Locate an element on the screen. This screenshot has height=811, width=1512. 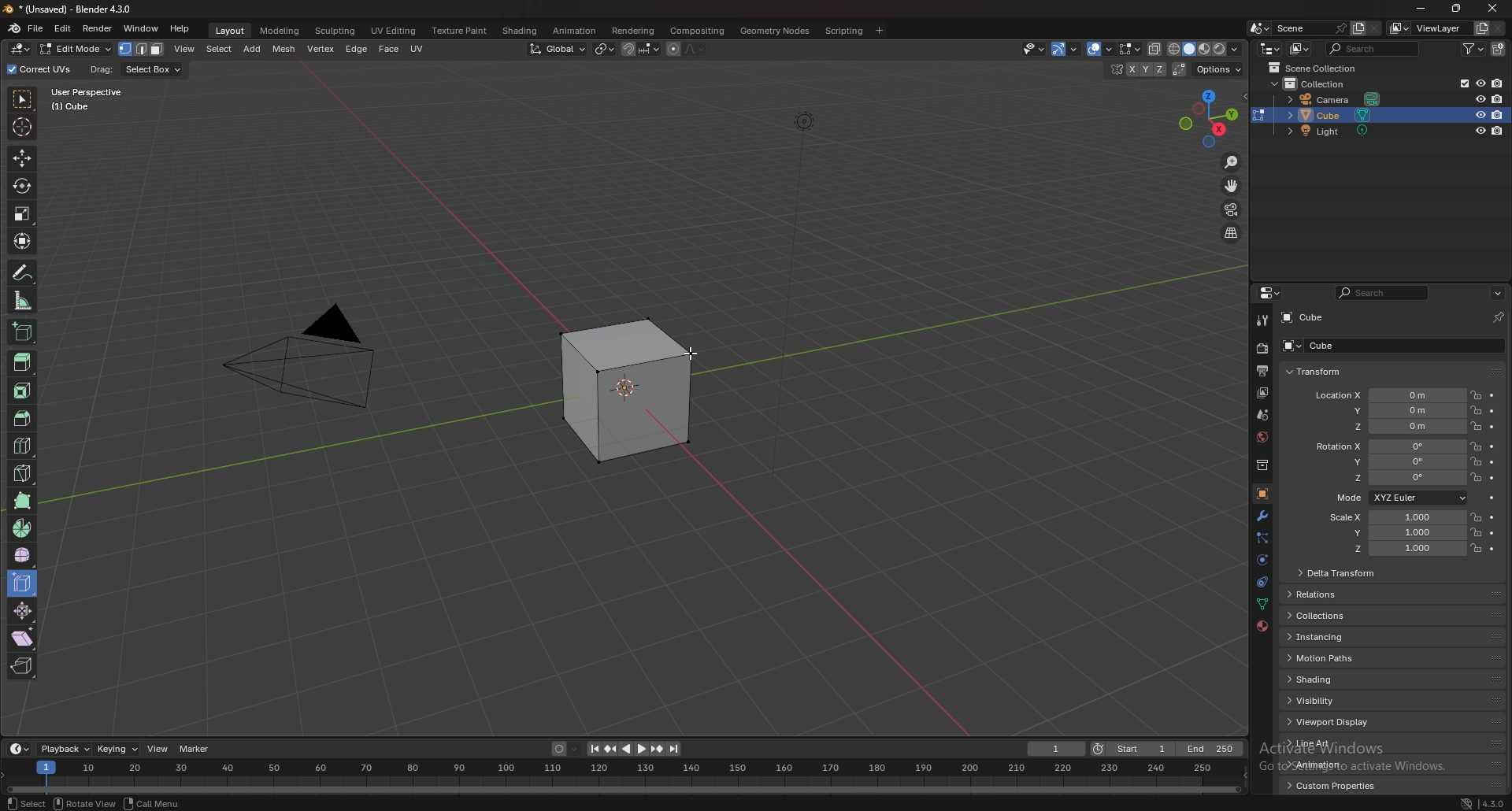
viewlayer is located at coordinates (1427, 28).